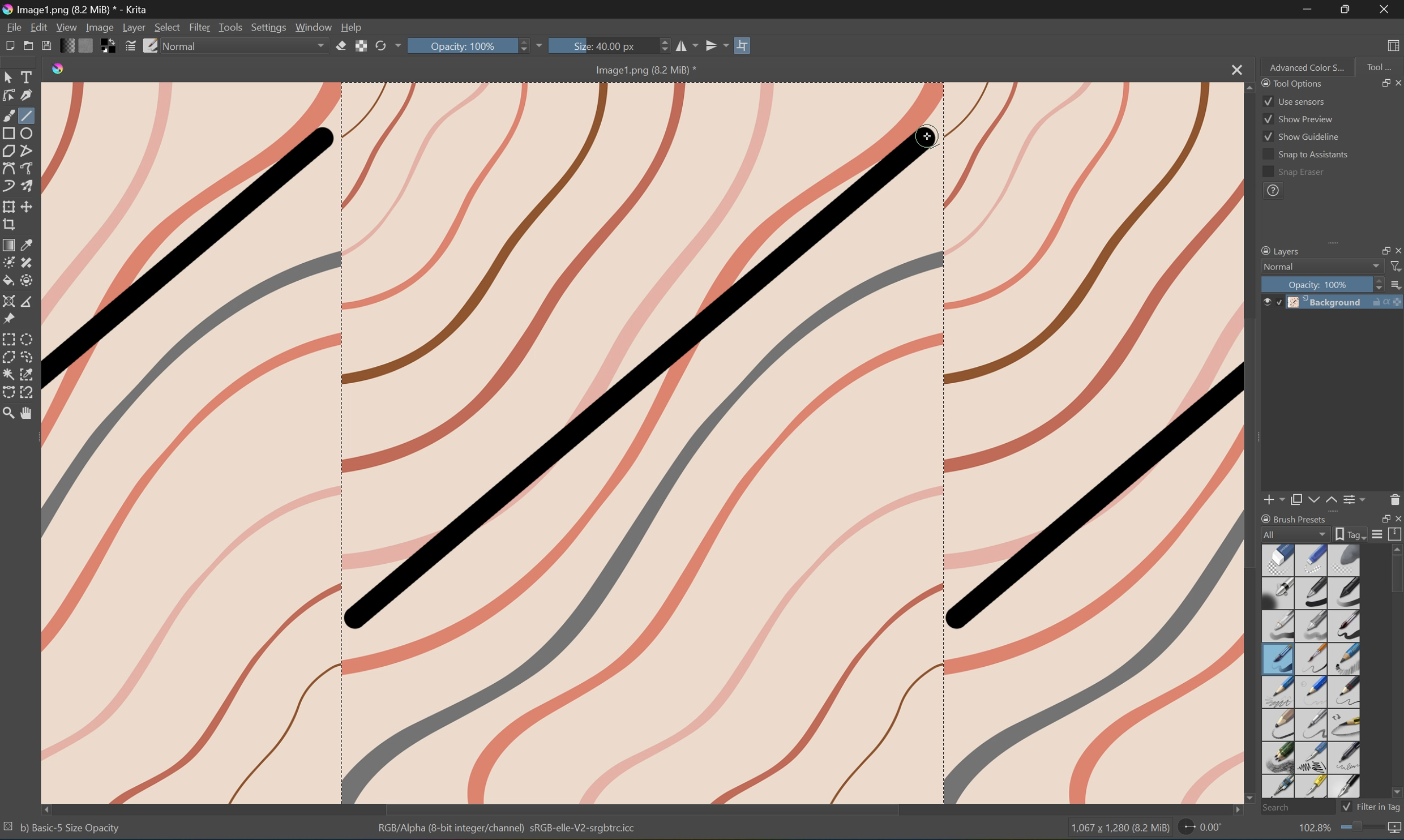  What do you see at coordinates (1356, 498) in the screenshot?
I see `View or change the layer properties` at bounding box center [1356, 498].